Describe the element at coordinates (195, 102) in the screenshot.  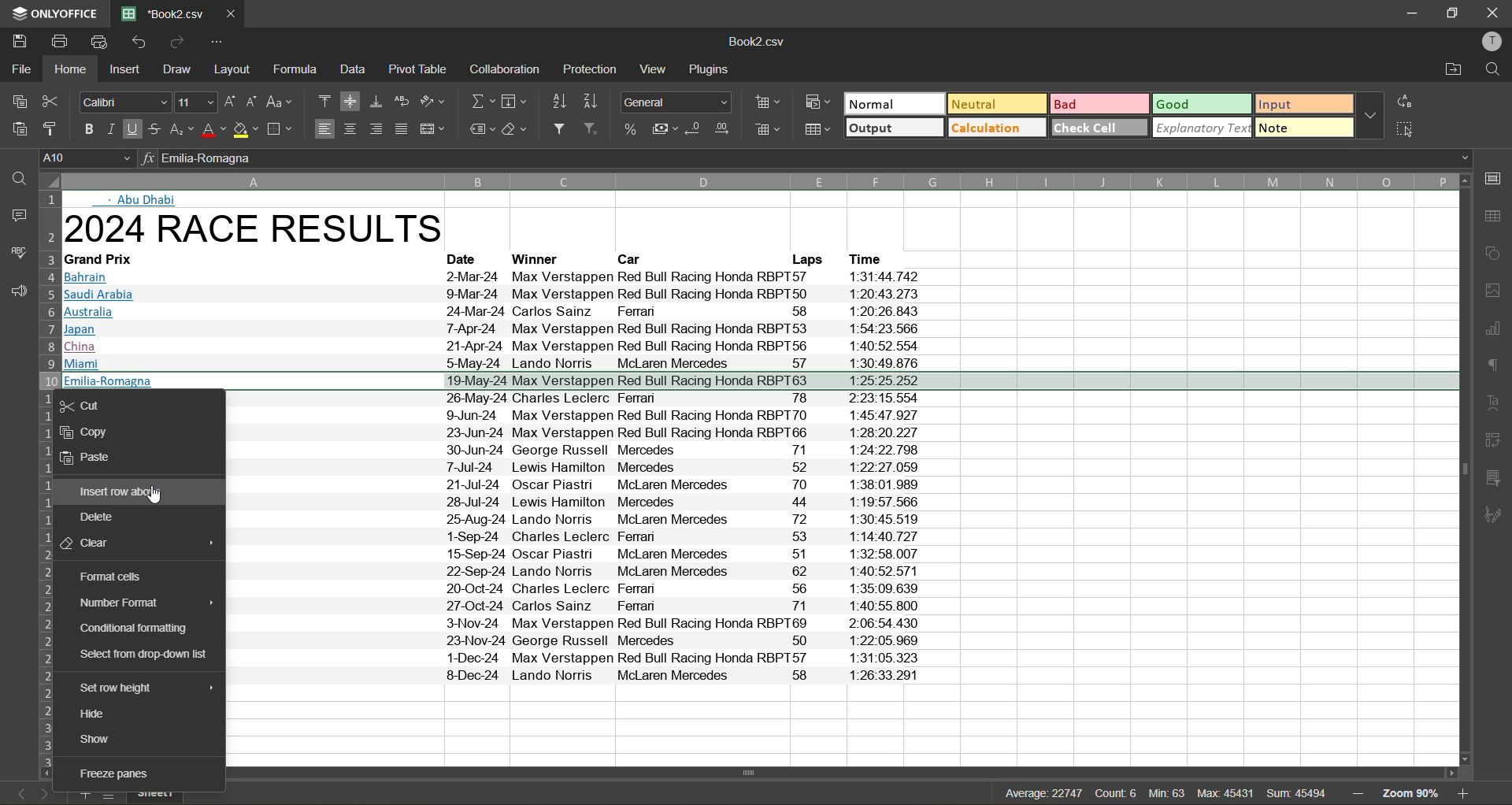
I see `size` at that location.